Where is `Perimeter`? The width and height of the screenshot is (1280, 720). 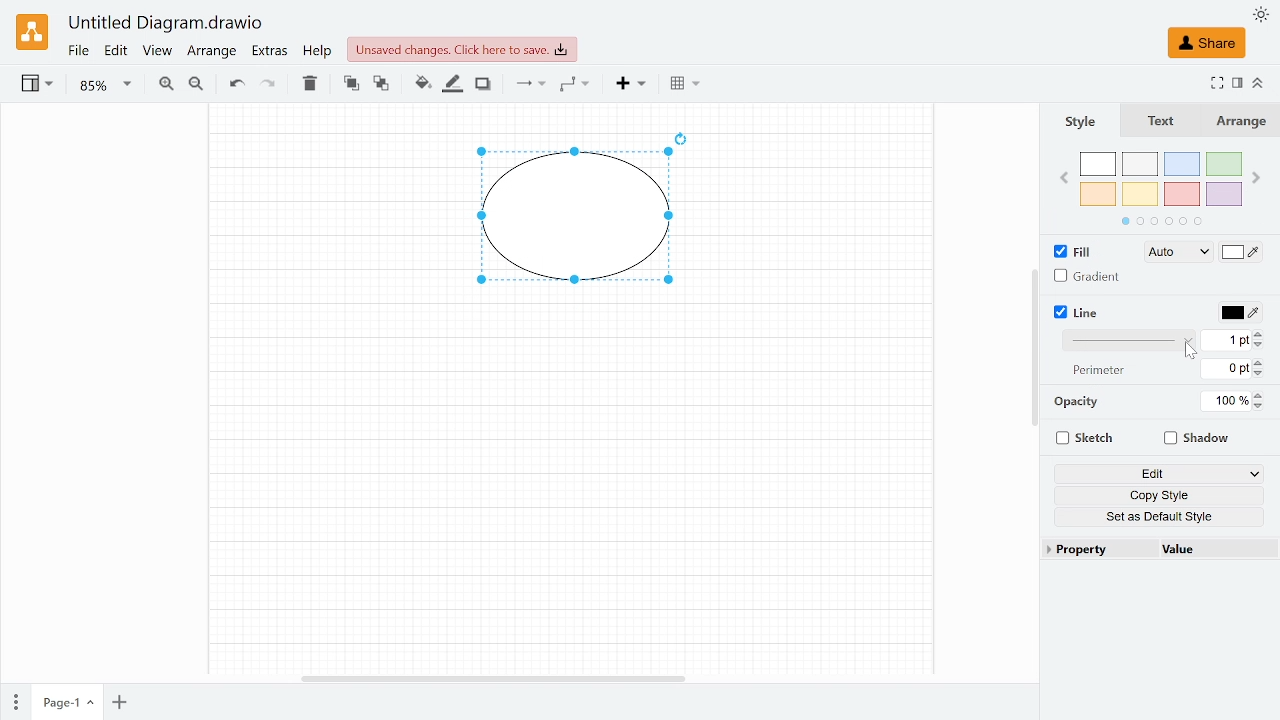
Perimeter is located at coordinates (1099, 370).